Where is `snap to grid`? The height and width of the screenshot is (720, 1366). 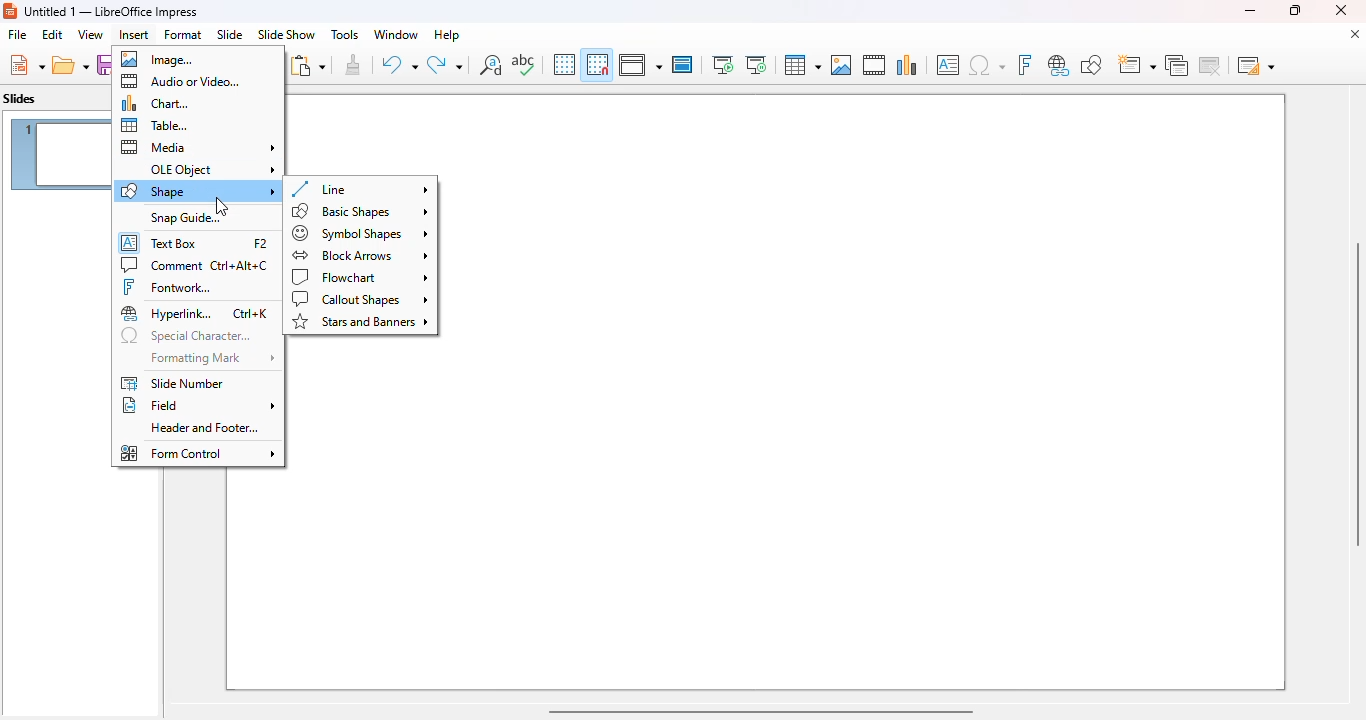
snap to grid is located at coordinates (596, 64).